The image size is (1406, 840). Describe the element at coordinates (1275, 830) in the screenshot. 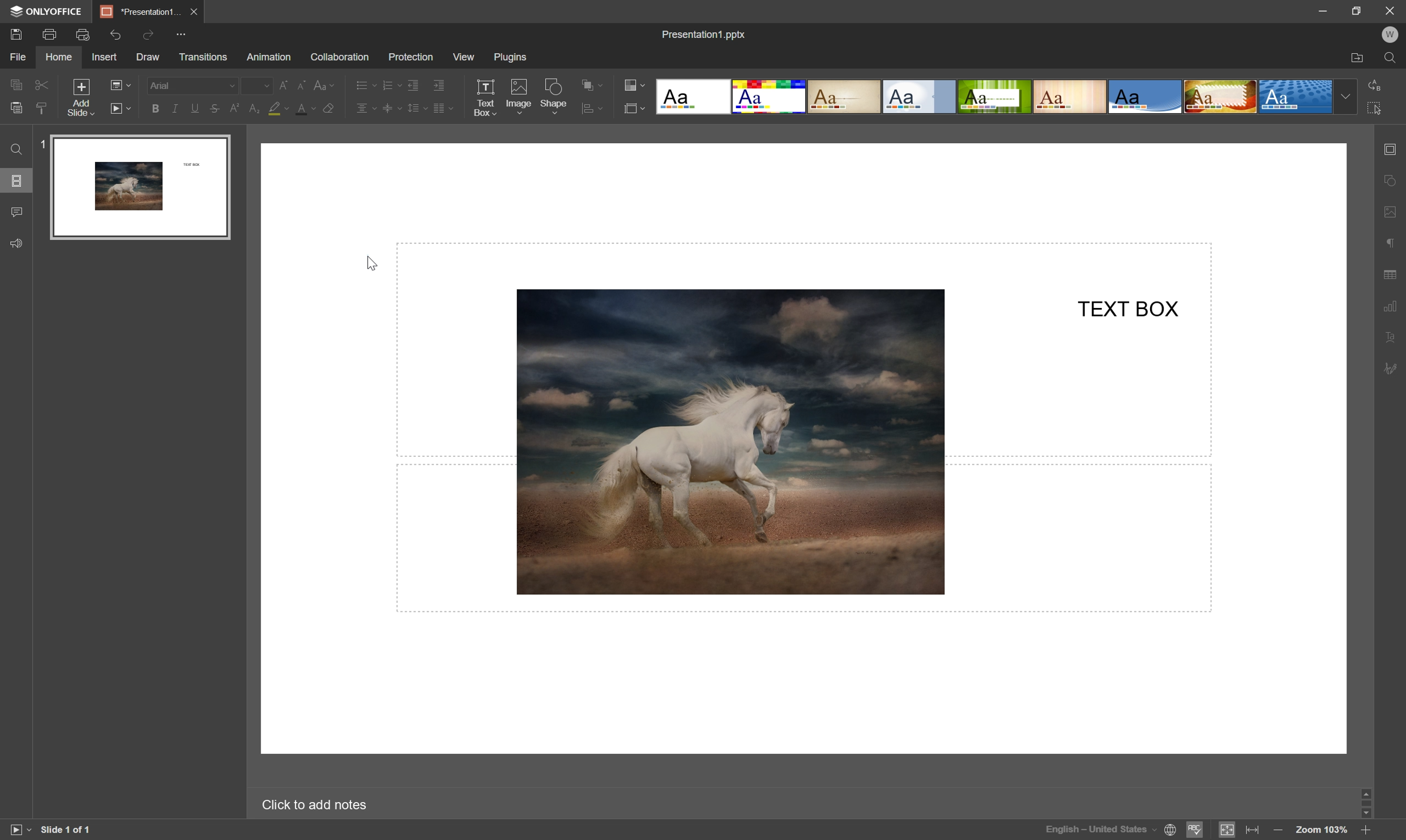

I see `zoom out` at that location.